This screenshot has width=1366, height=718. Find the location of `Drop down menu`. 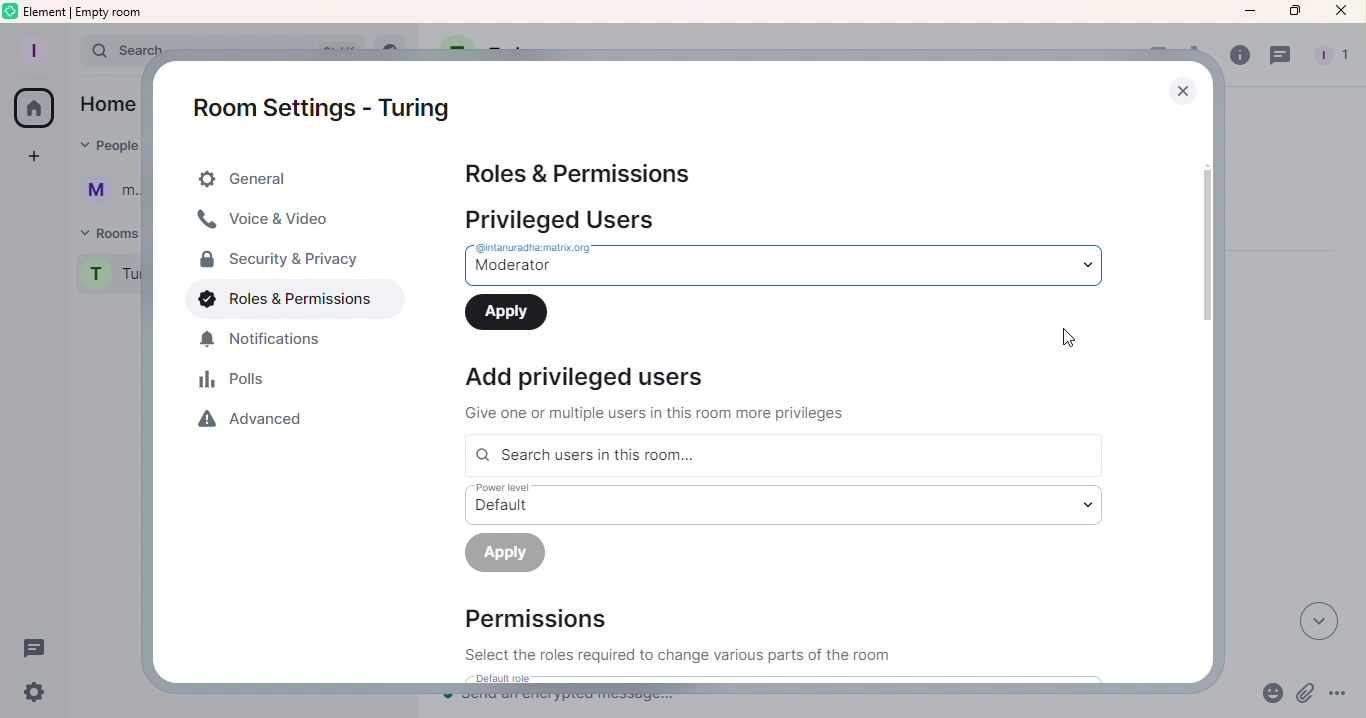

Drop down menu is located at coordinates (782, 264).